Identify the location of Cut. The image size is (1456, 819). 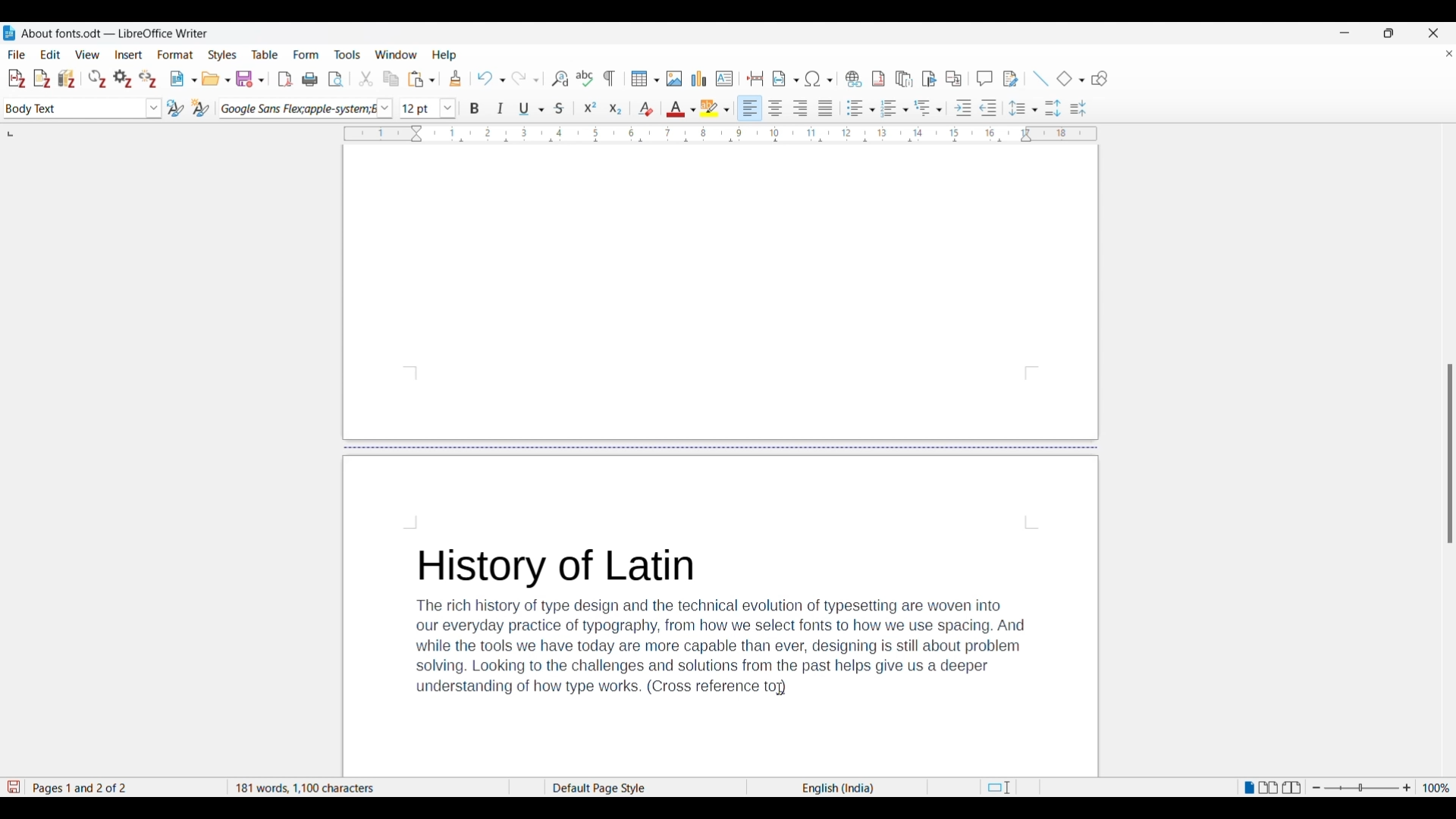
(366, 78).